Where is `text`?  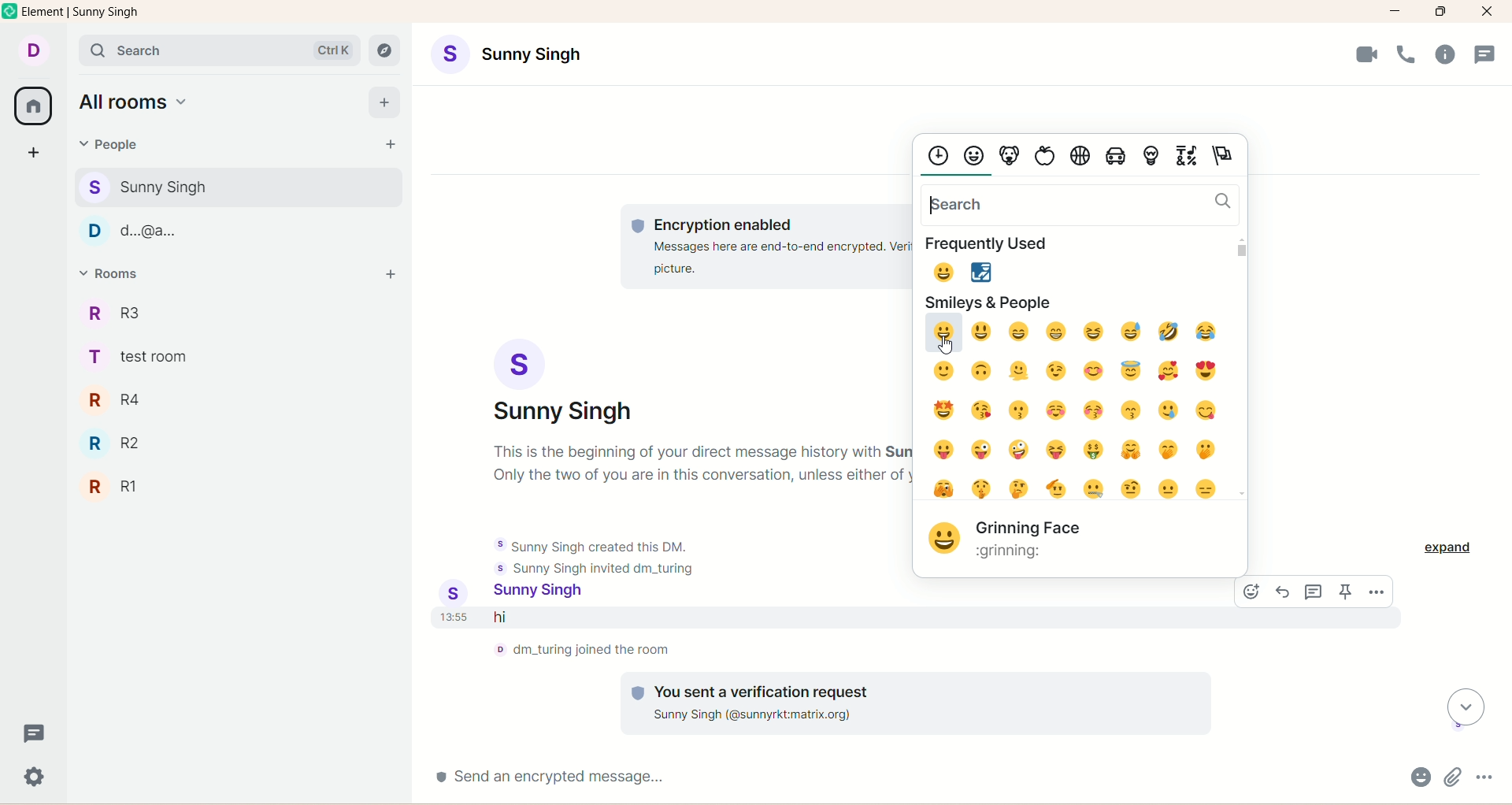
text is located at coordinates (766, 246).